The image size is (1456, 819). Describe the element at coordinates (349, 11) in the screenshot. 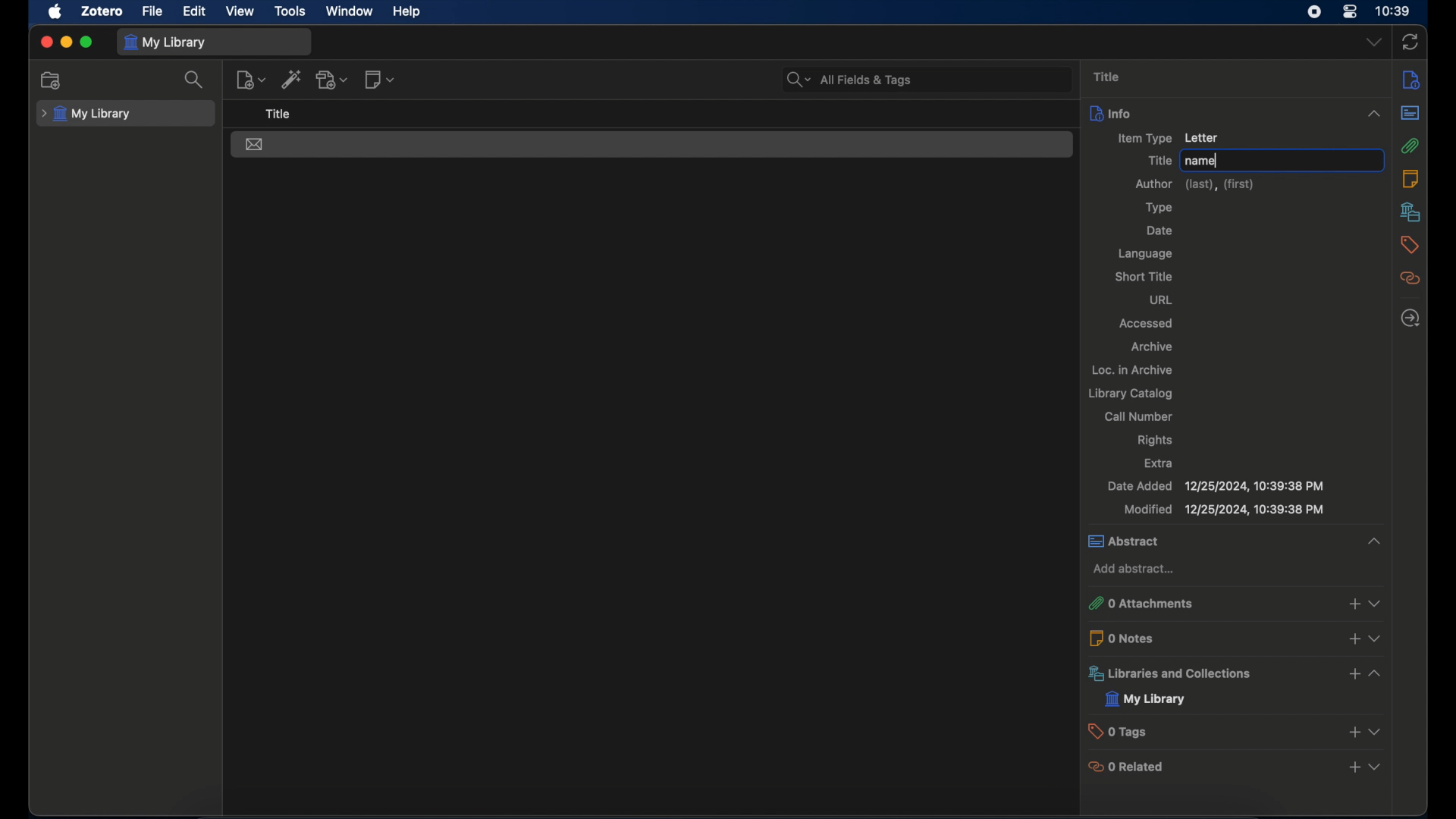

I see `window` at that location.